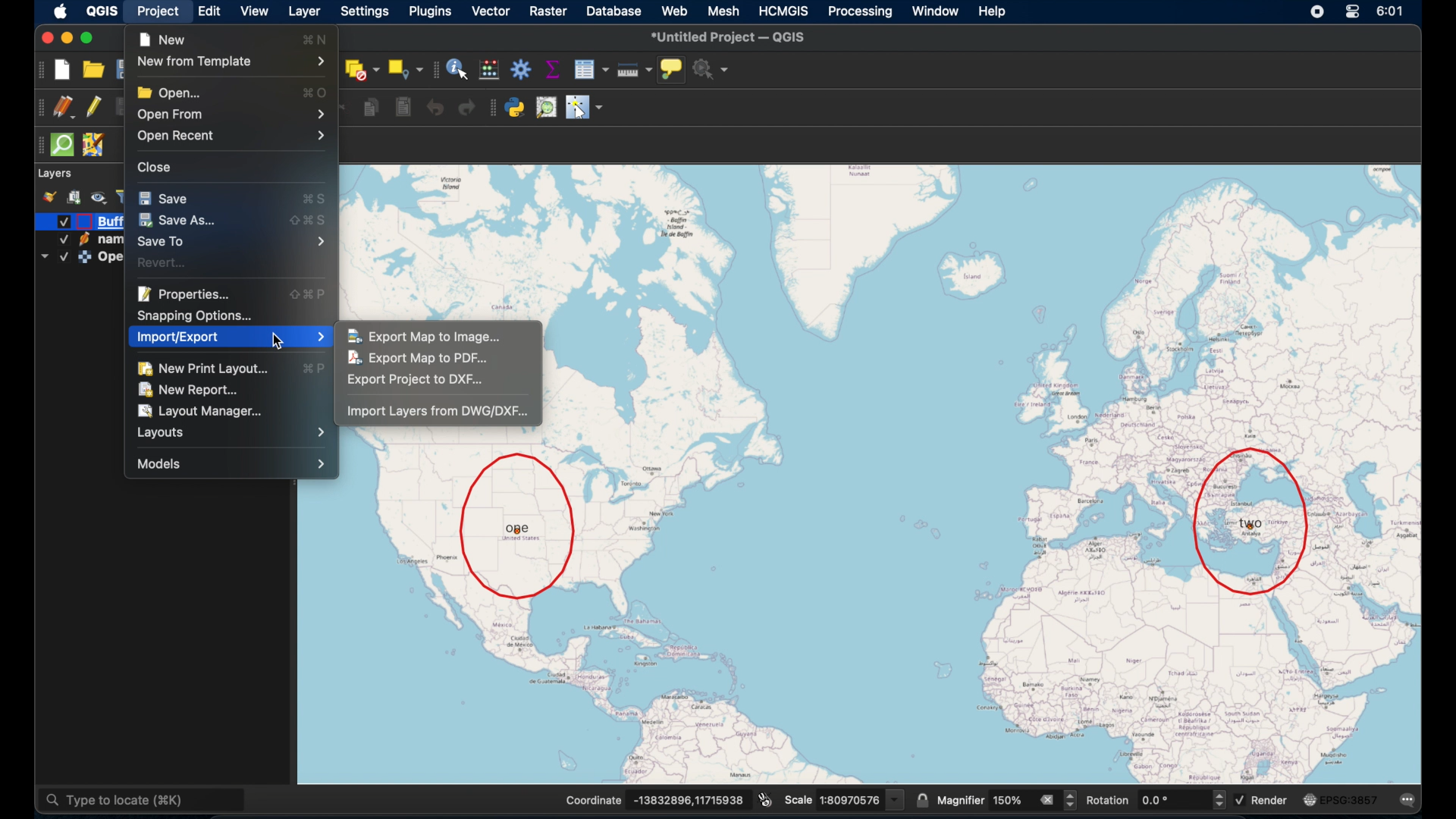 Image resolution: width=1456 pixels, height=819 pixels. Describe the element at coordinates (764, 797) in the screenshot. I see `toggle extents and position mouse display` at that location.